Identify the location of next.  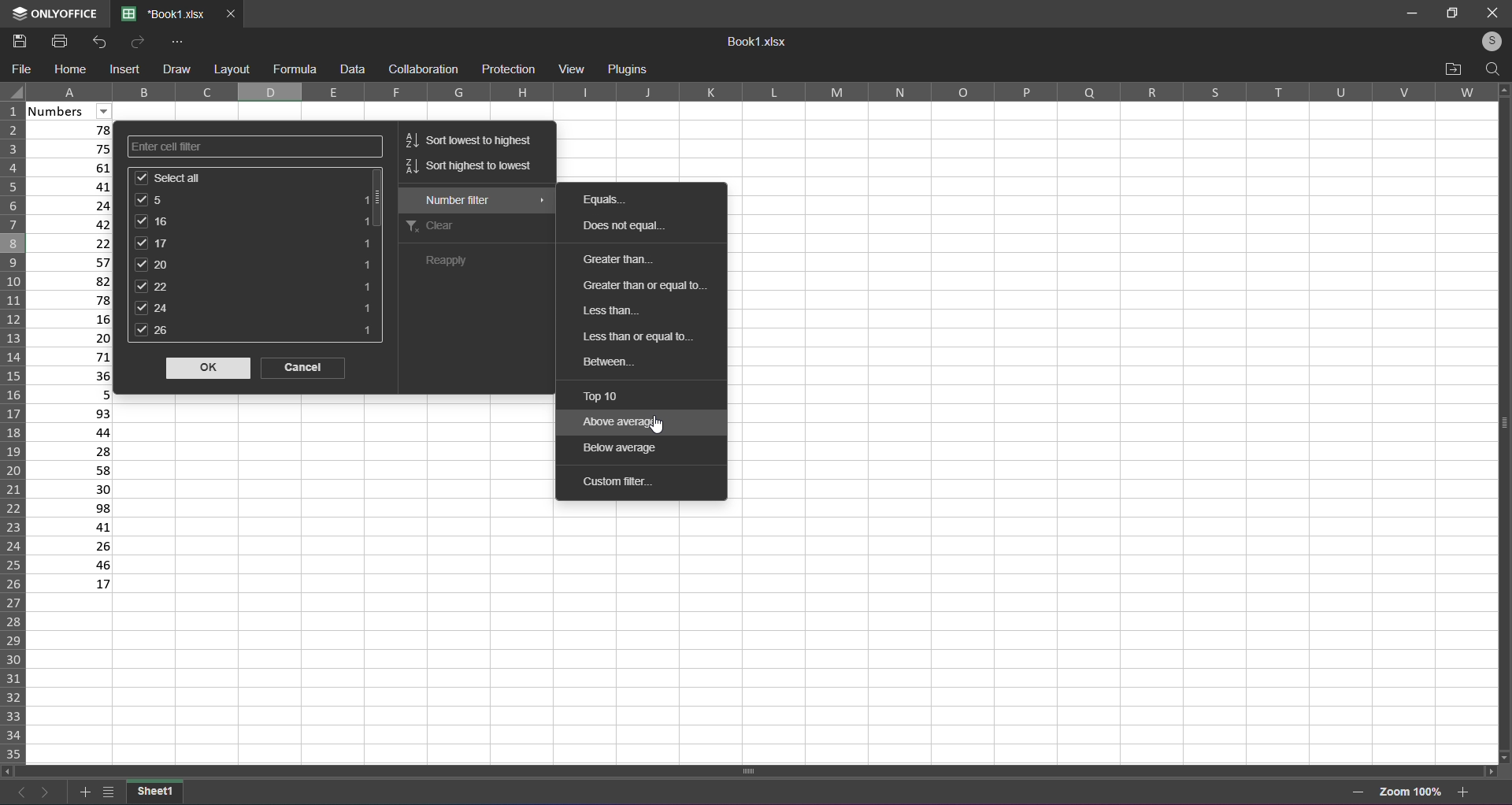
(46, 791).